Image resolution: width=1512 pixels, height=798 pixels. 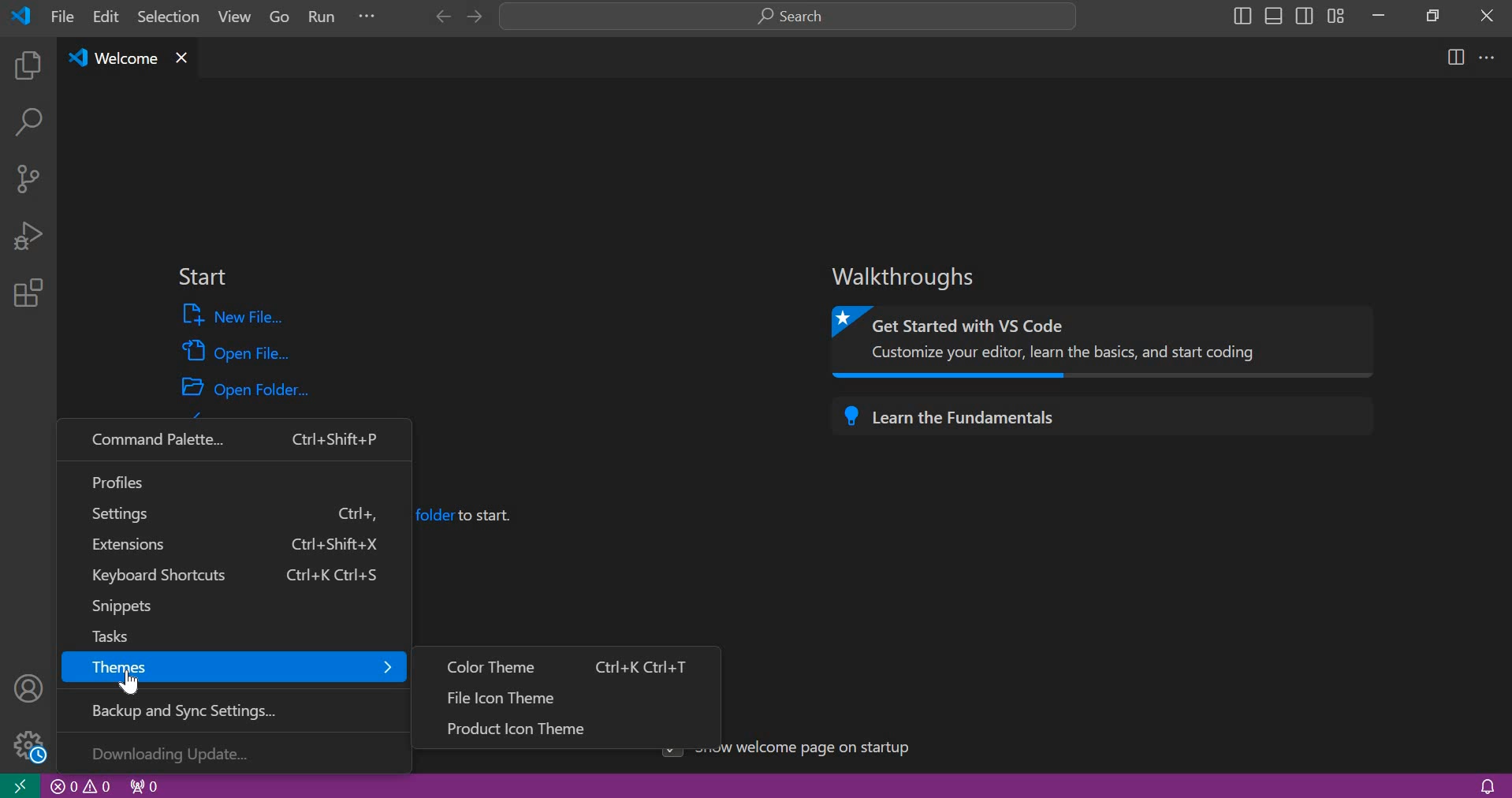 What do you see at coordinates (229, 607) in the screenshot?
I see `snippets` at bounding box center [229, 607].